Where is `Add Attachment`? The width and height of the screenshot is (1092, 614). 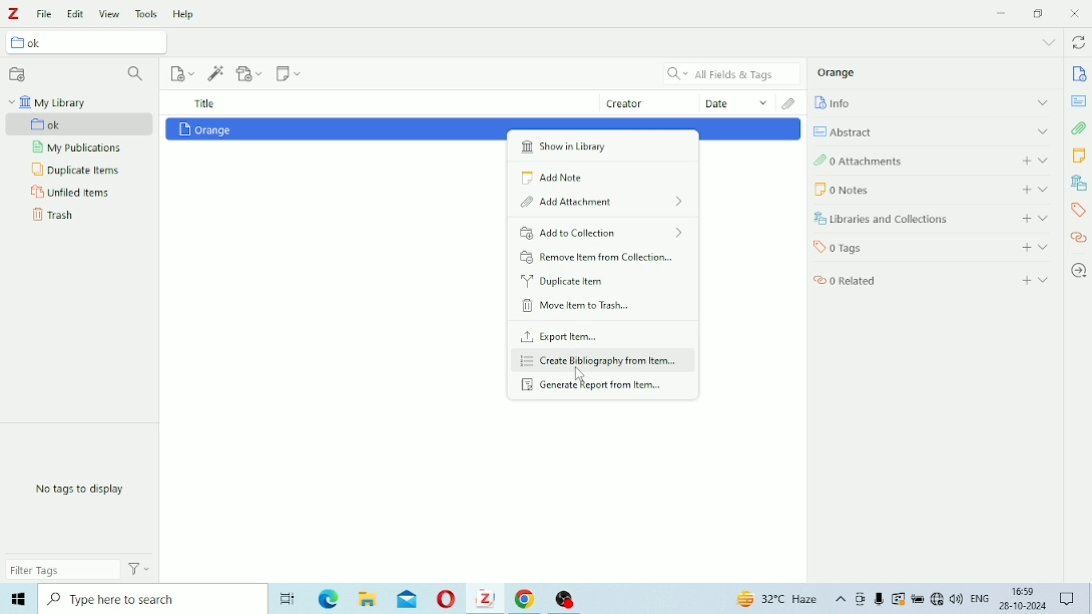
Add Attachment is located at coordinates (251, 72).